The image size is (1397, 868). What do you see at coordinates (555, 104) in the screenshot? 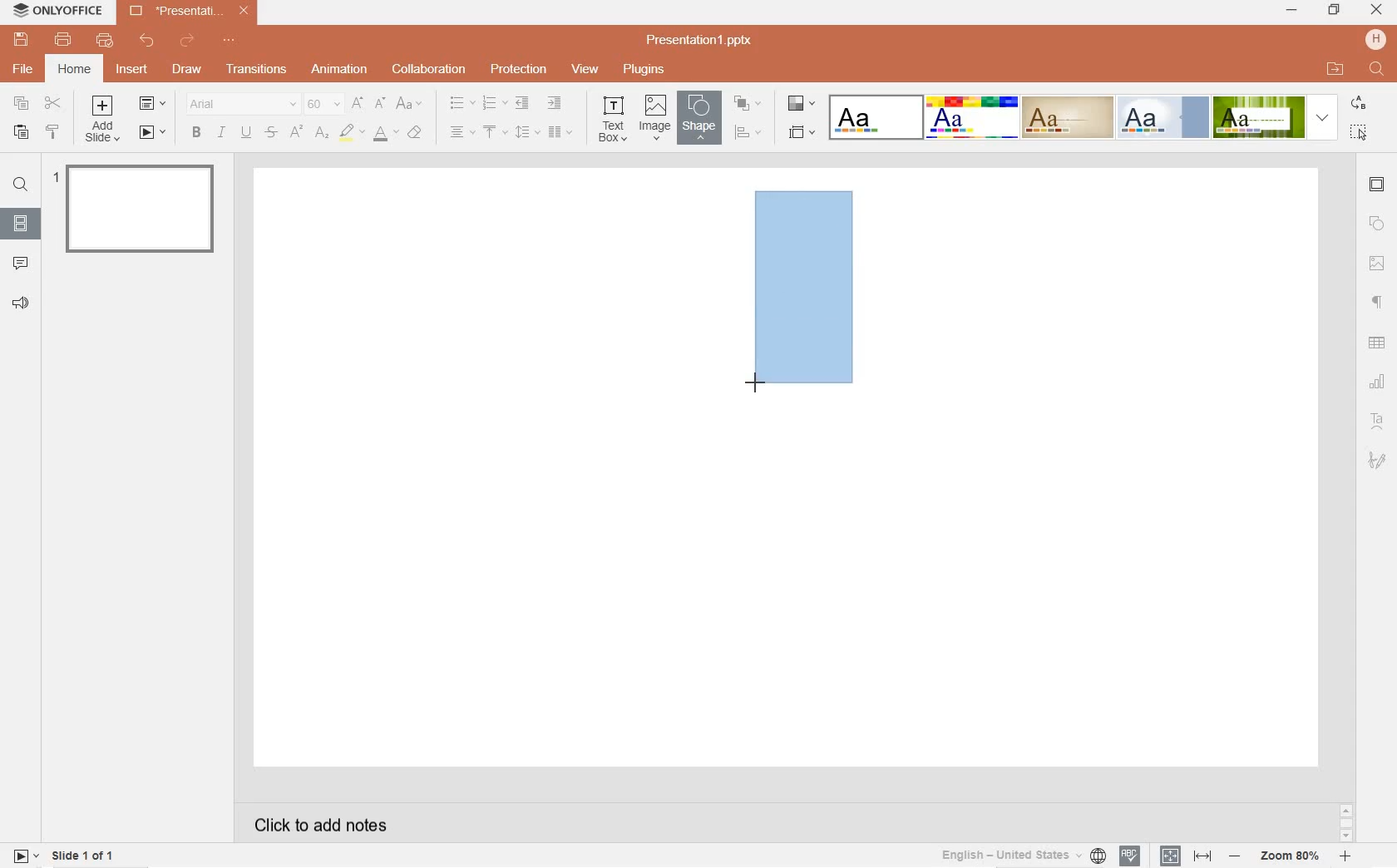
I see `increase indent` at bounding box center [555, 104].